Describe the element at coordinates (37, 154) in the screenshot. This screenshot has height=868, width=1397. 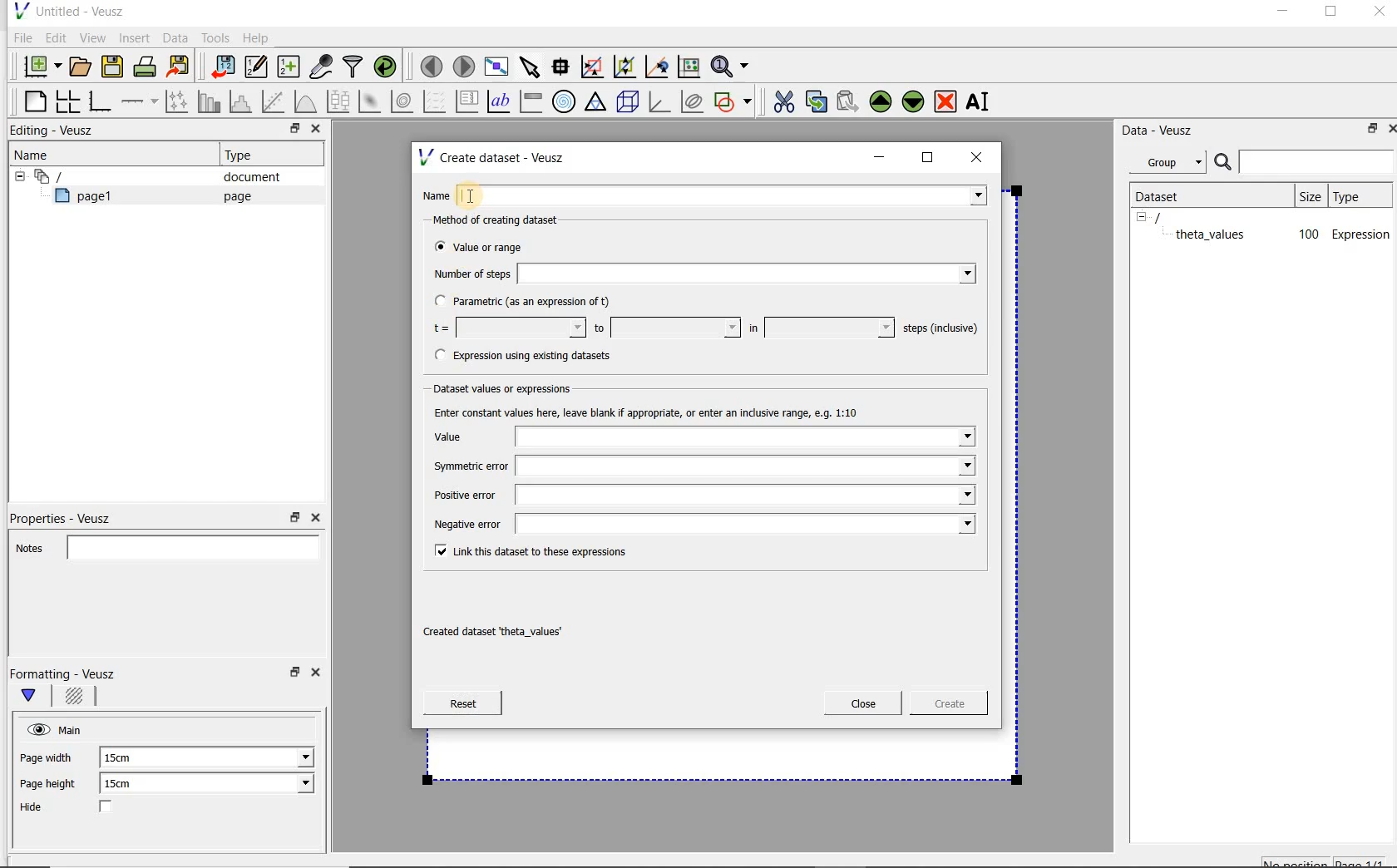
I see `Name` at that location.